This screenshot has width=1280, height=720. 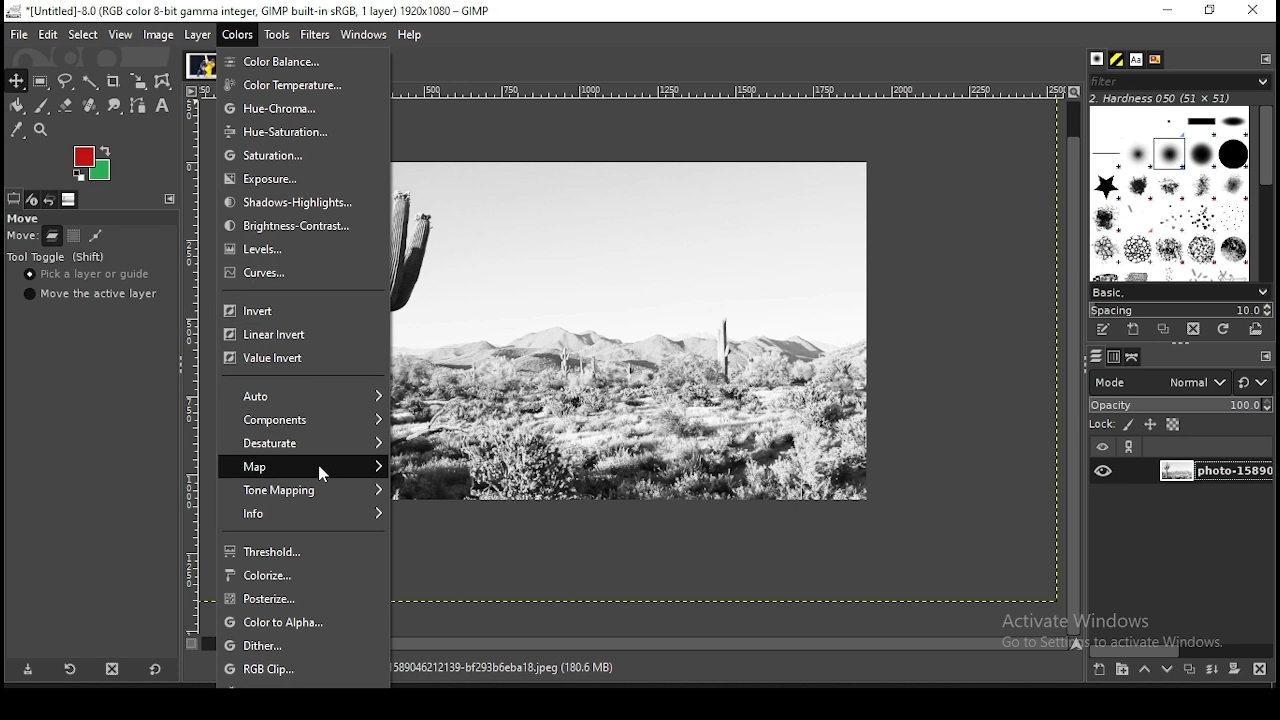 What do you see at coordinates (1252, 383) in the screenshot?
I see `switch to other modes` at bounding box center [1252, 383].